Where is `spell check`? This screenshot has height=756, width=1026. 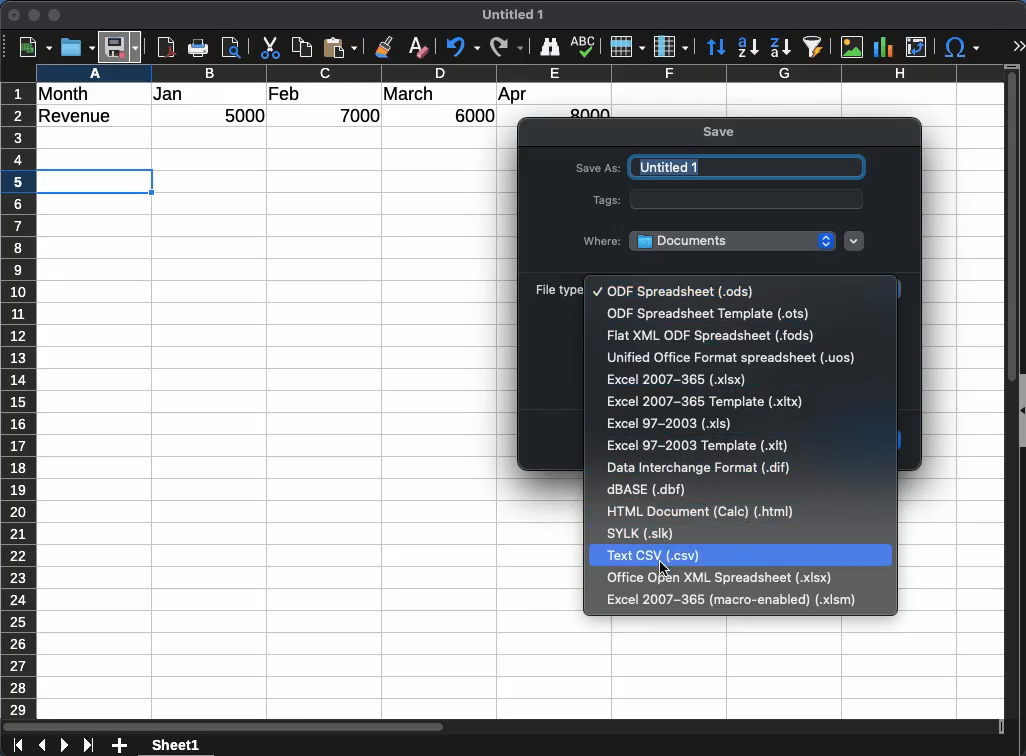 spell check is located at coordinates (584, 48).